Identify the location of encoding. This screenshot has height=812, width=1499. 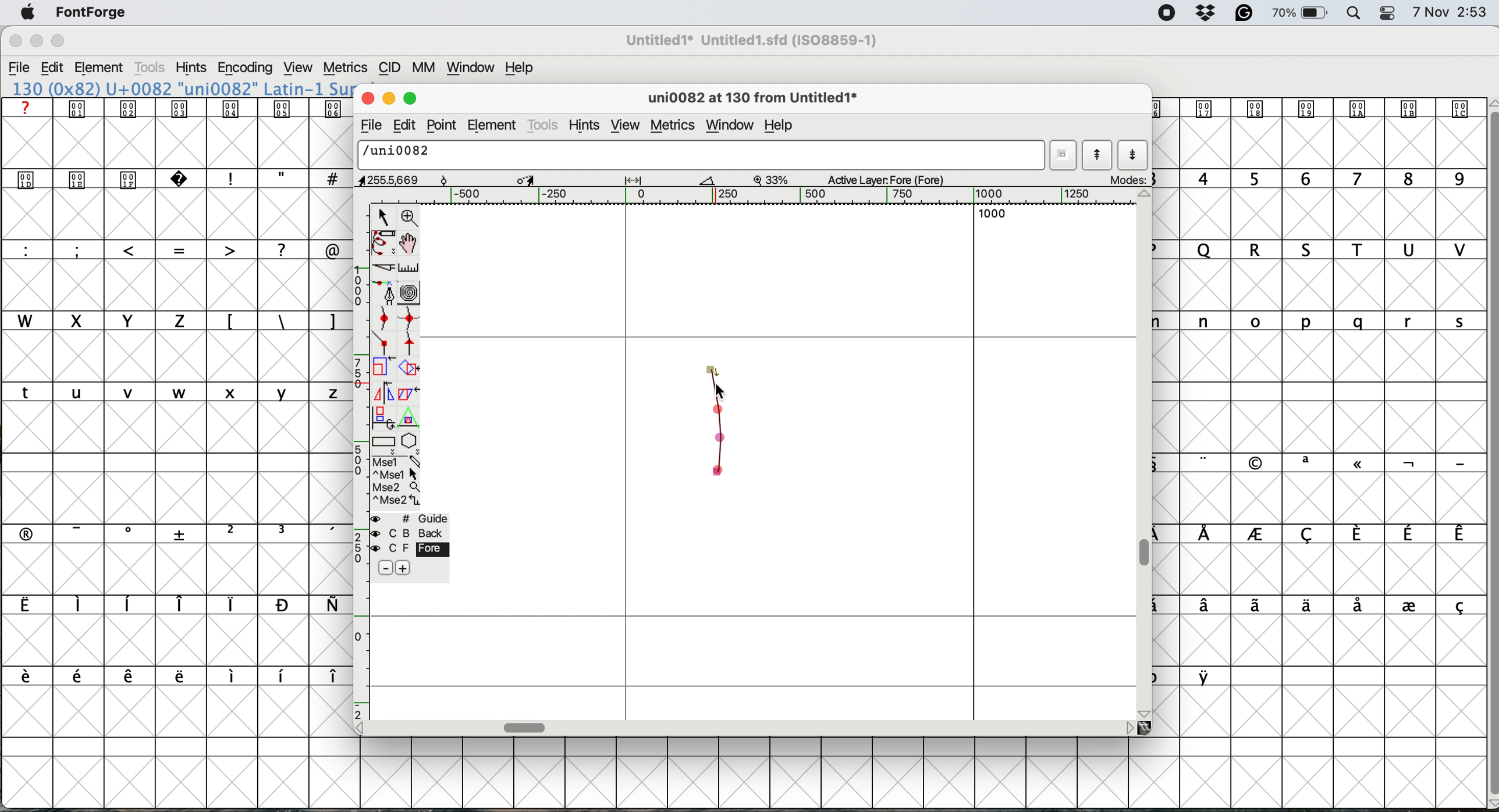
(244, 69).